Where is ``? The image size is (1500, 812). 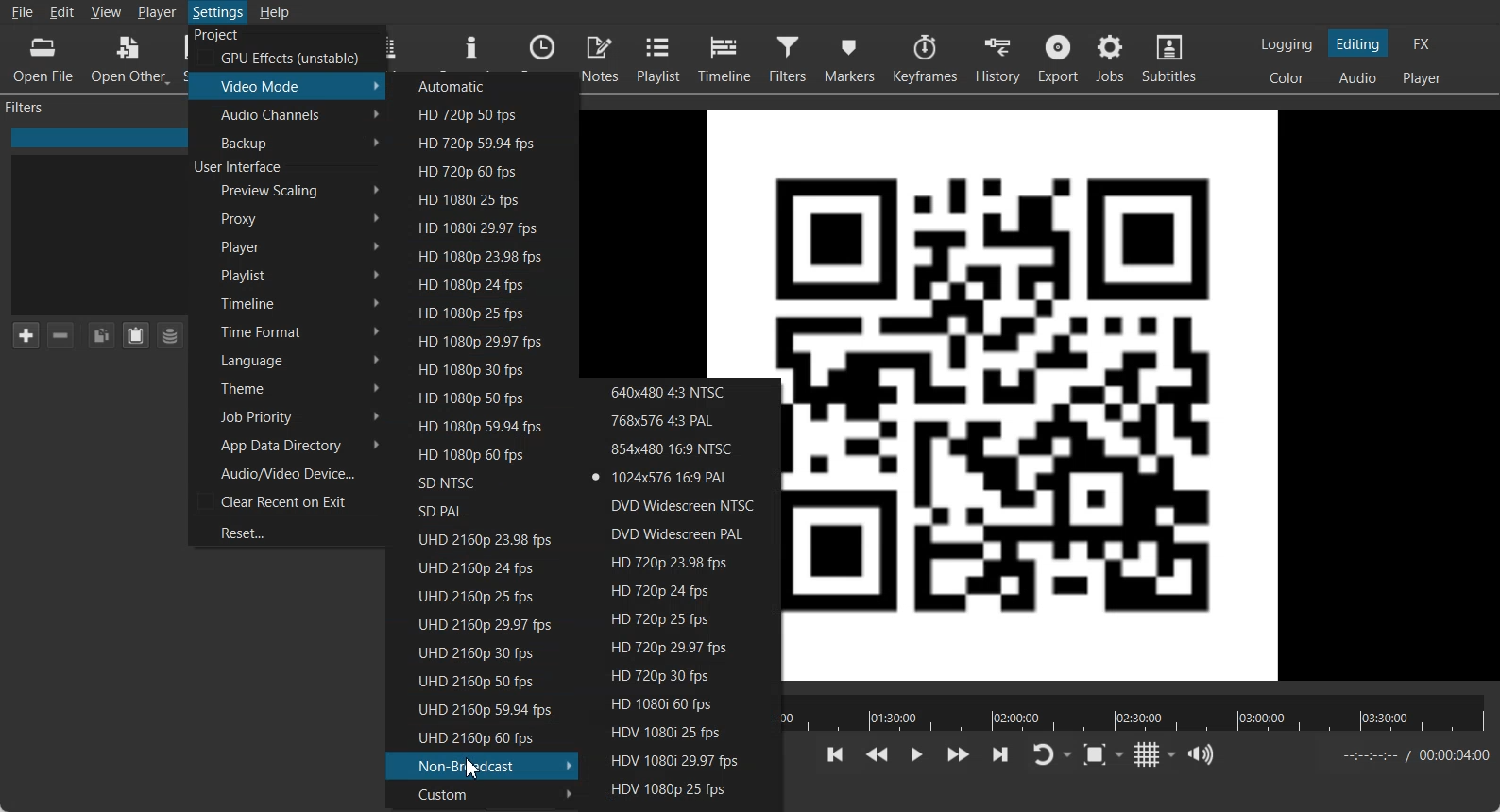  is located at coordinates (169, 335).